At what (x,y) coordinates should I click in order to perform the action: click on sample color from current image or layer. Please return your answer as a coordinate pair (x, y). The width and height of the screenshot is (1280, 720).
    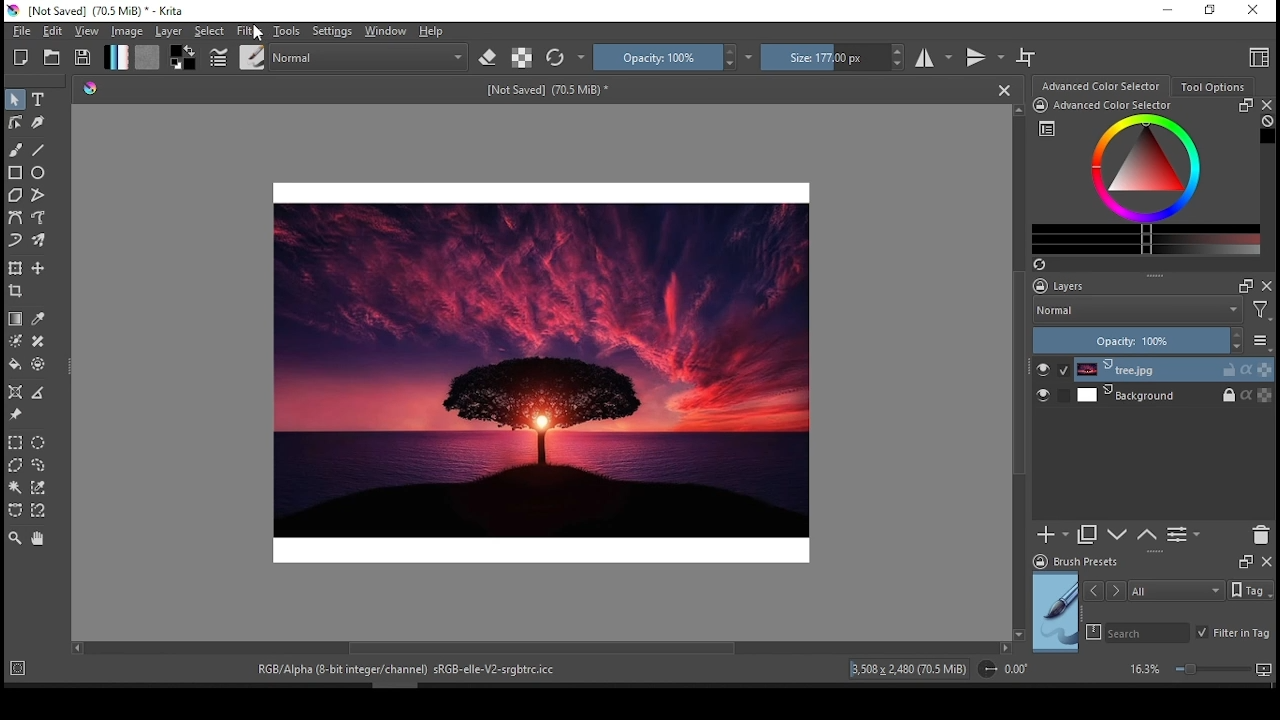
    Looking at the image, I should click on (39, 318).